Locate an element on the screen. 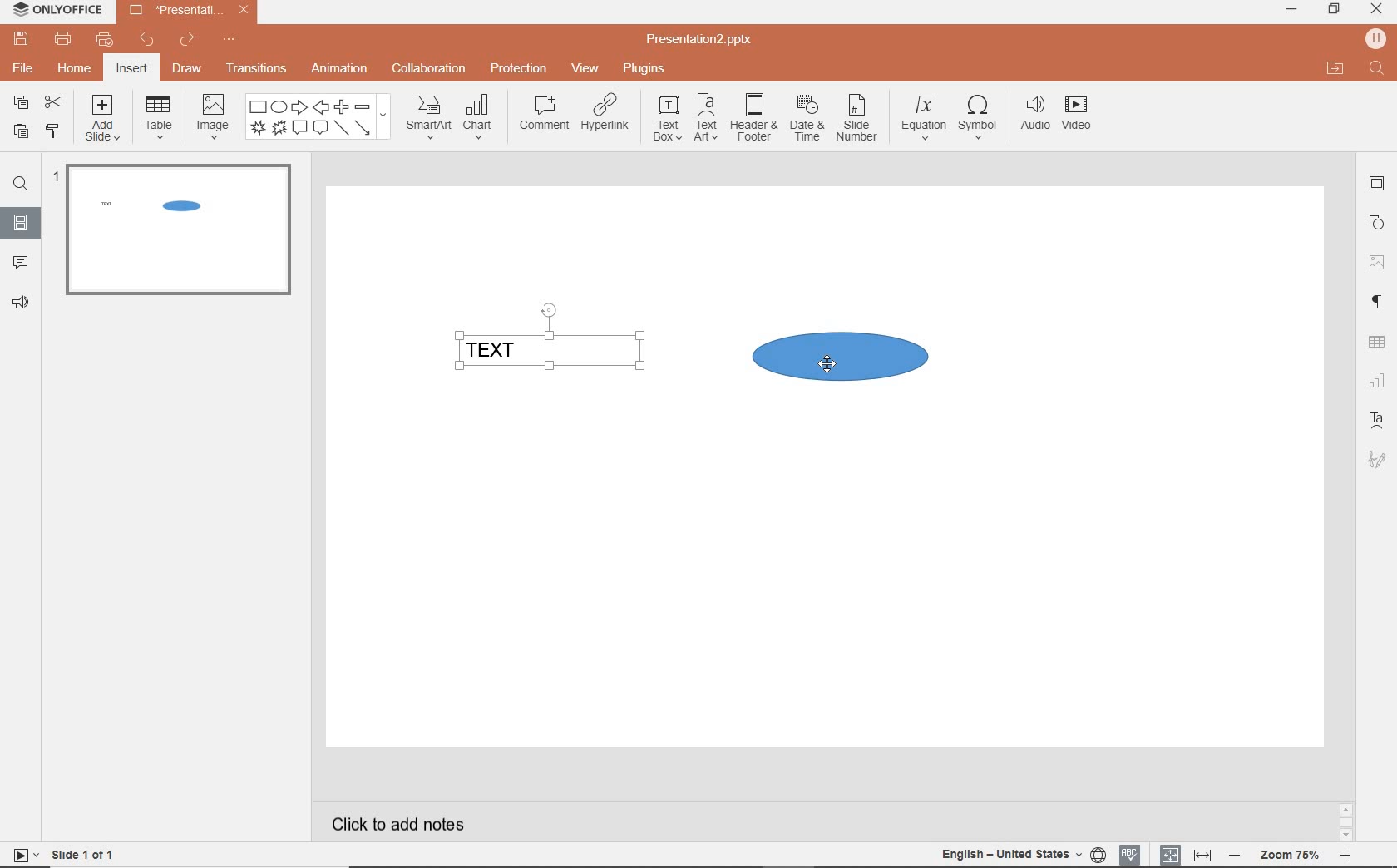 Image resolution: width=1397 pixels, height=868 pixels. image is located at coordinates (210, 116).